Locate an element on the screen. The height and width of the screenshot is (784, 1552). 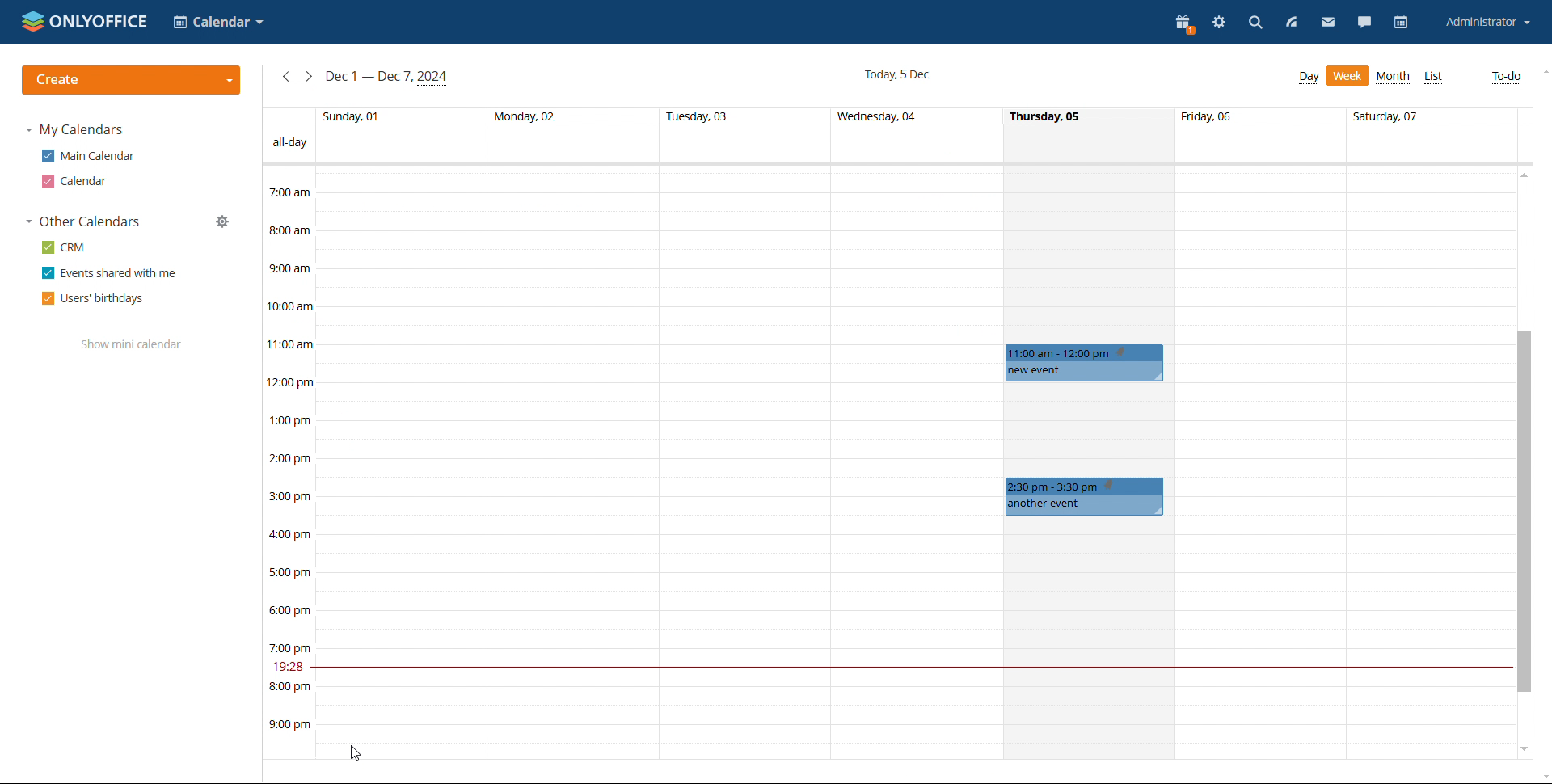
previous week is located at coordinates (285, 75).